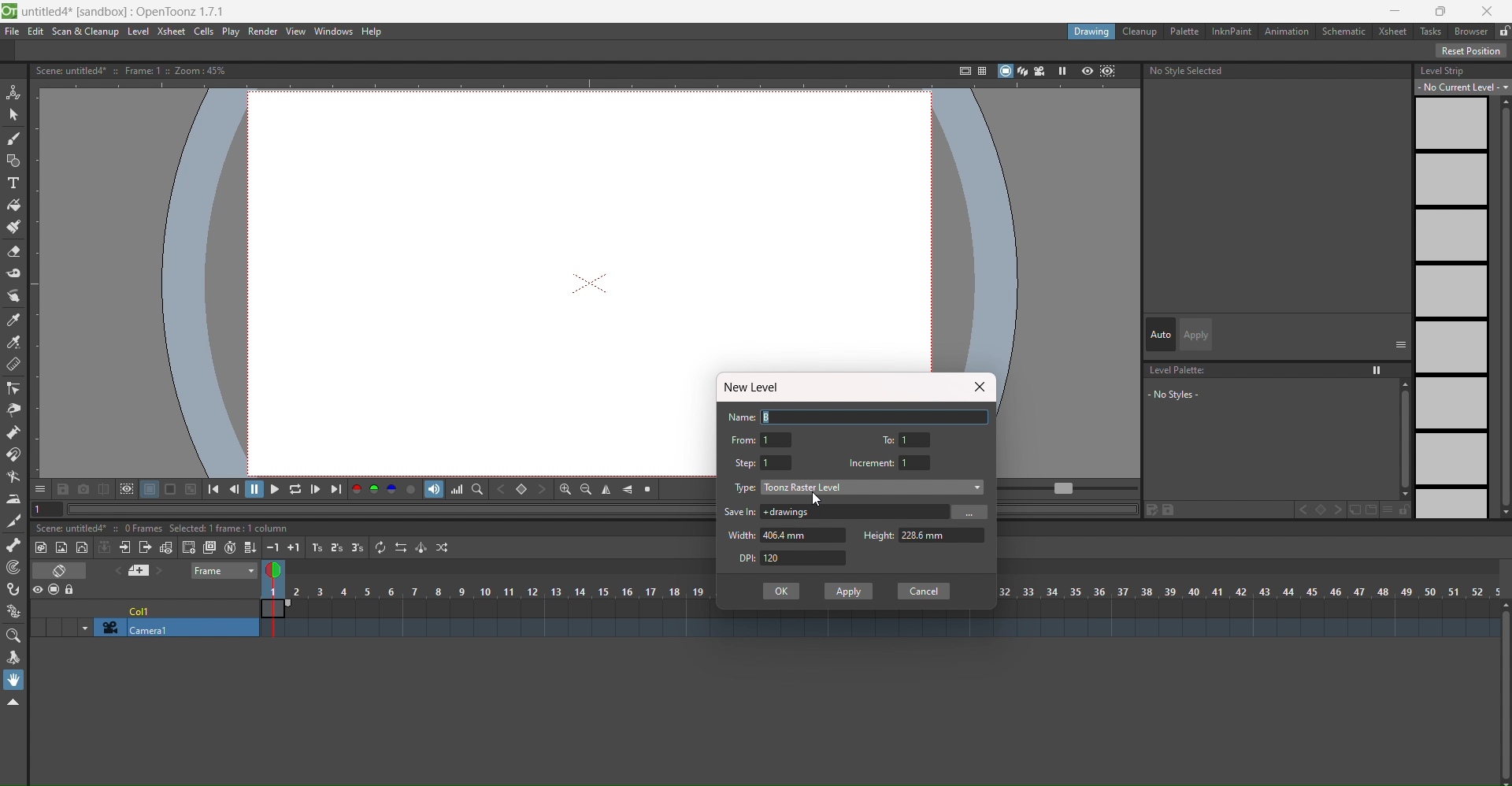  What do you see at coordinates (172, 489) in the screenshot?
I see `tool` at bounding box center [172, 489].